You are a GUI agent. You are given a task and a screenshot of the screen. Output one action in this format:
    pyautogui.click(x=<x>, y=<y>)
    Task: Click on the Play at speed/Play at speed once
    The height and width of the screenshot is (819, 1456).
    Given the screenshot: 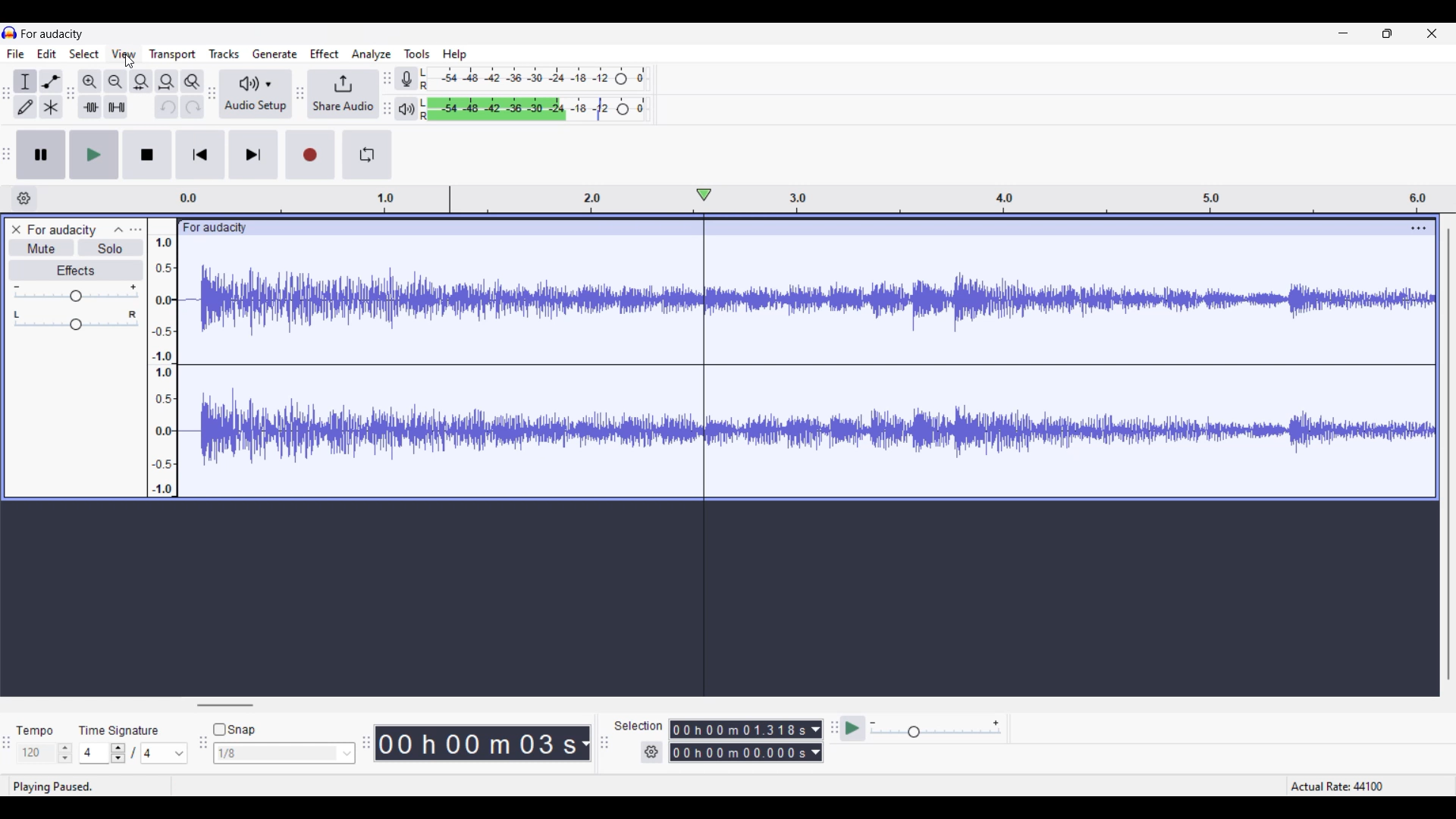 What is the action you would take?
    pyautogui.click(x=852, y=728)
    